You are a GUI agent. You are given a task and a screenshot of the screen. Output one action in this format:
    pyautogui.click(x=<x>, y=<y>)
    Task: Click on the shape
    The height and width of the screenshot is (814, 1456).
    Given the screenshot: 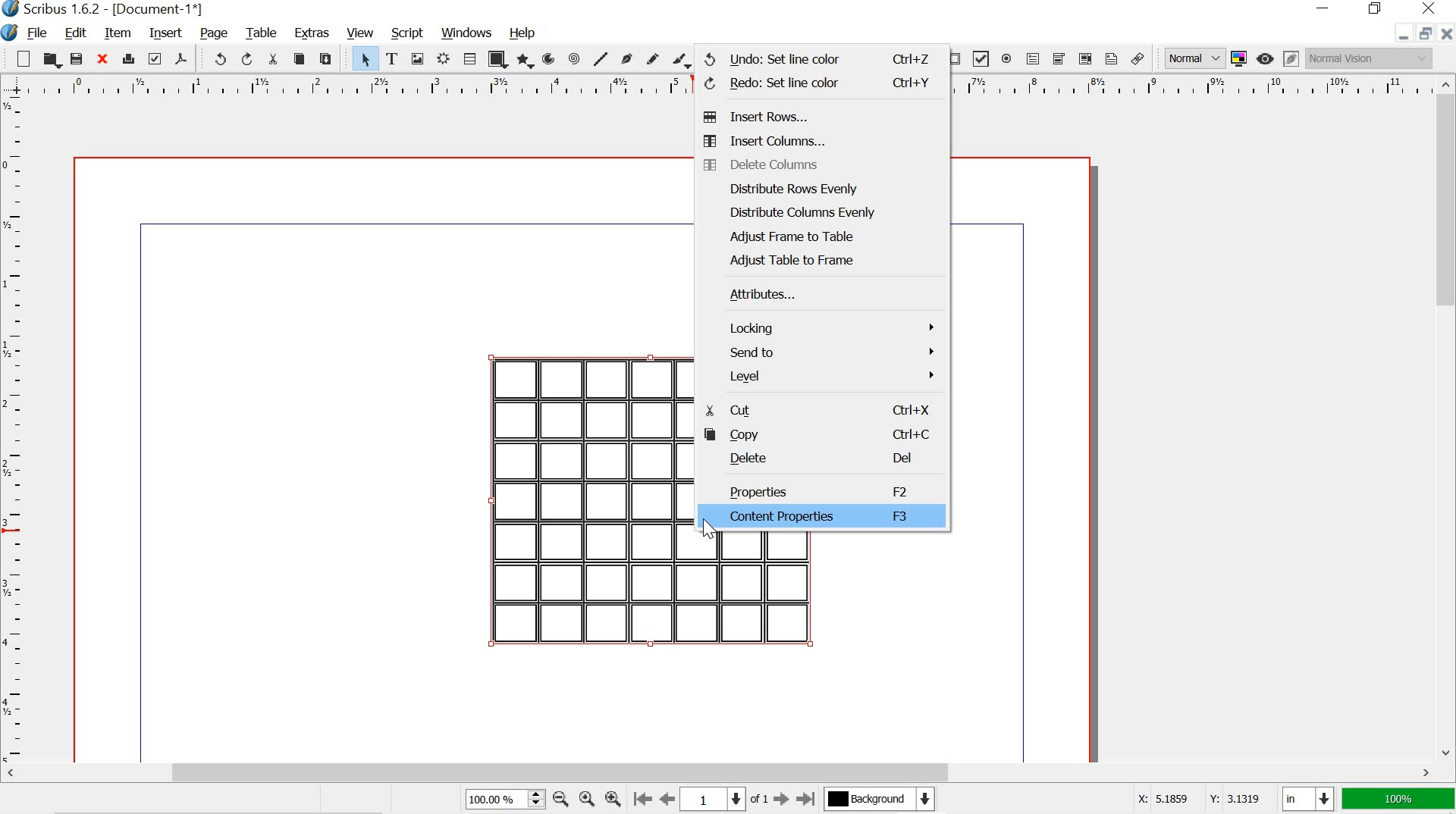 What is the action you would take?
    pyautogui.click(x=500, y=59)
    